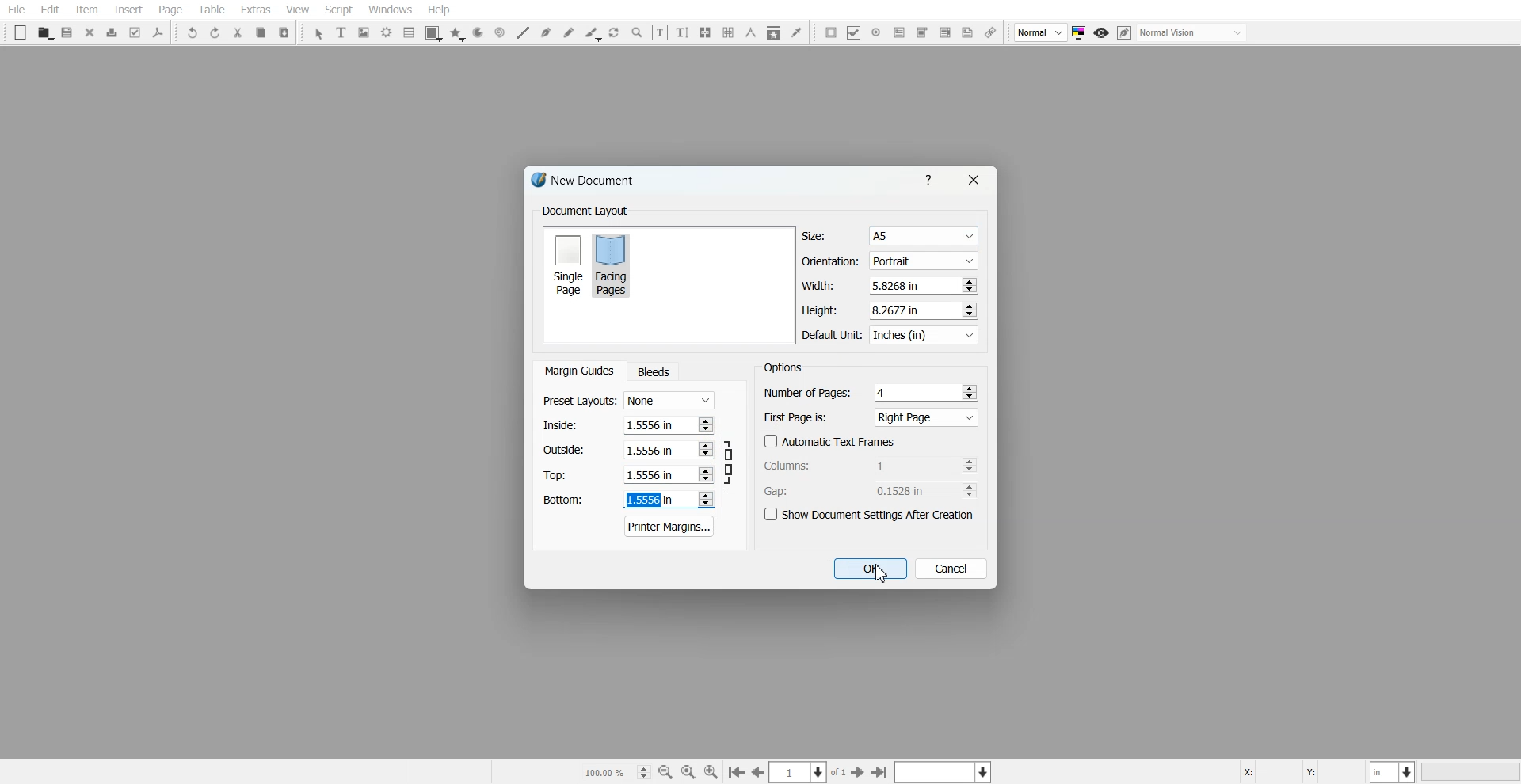  What do you see at coordinates (433, 33) in the screenshot?
I see `Shape` at bounding box center [433, 33].